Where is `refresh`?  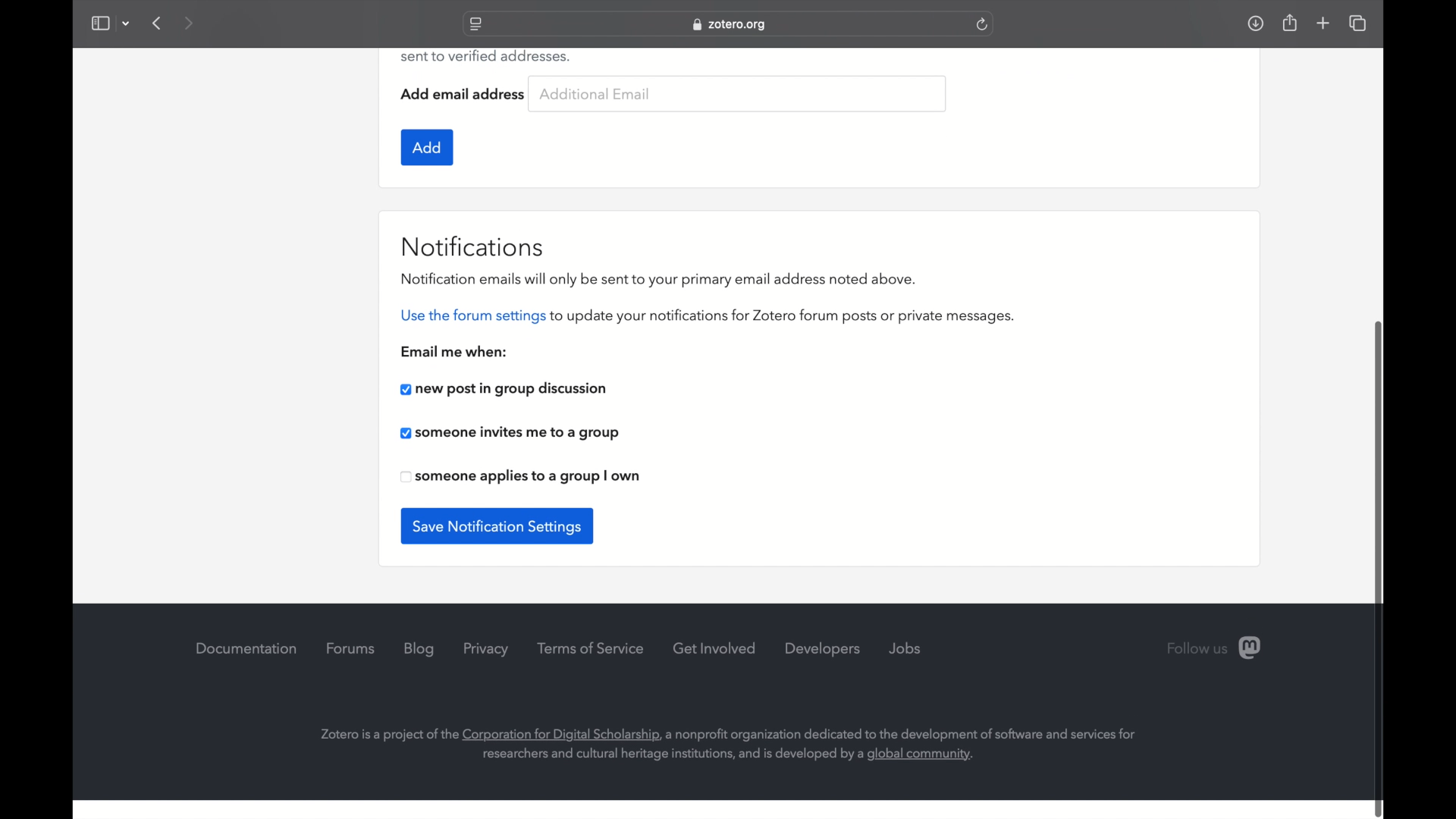 refresh is located at coordinates (983, 24).